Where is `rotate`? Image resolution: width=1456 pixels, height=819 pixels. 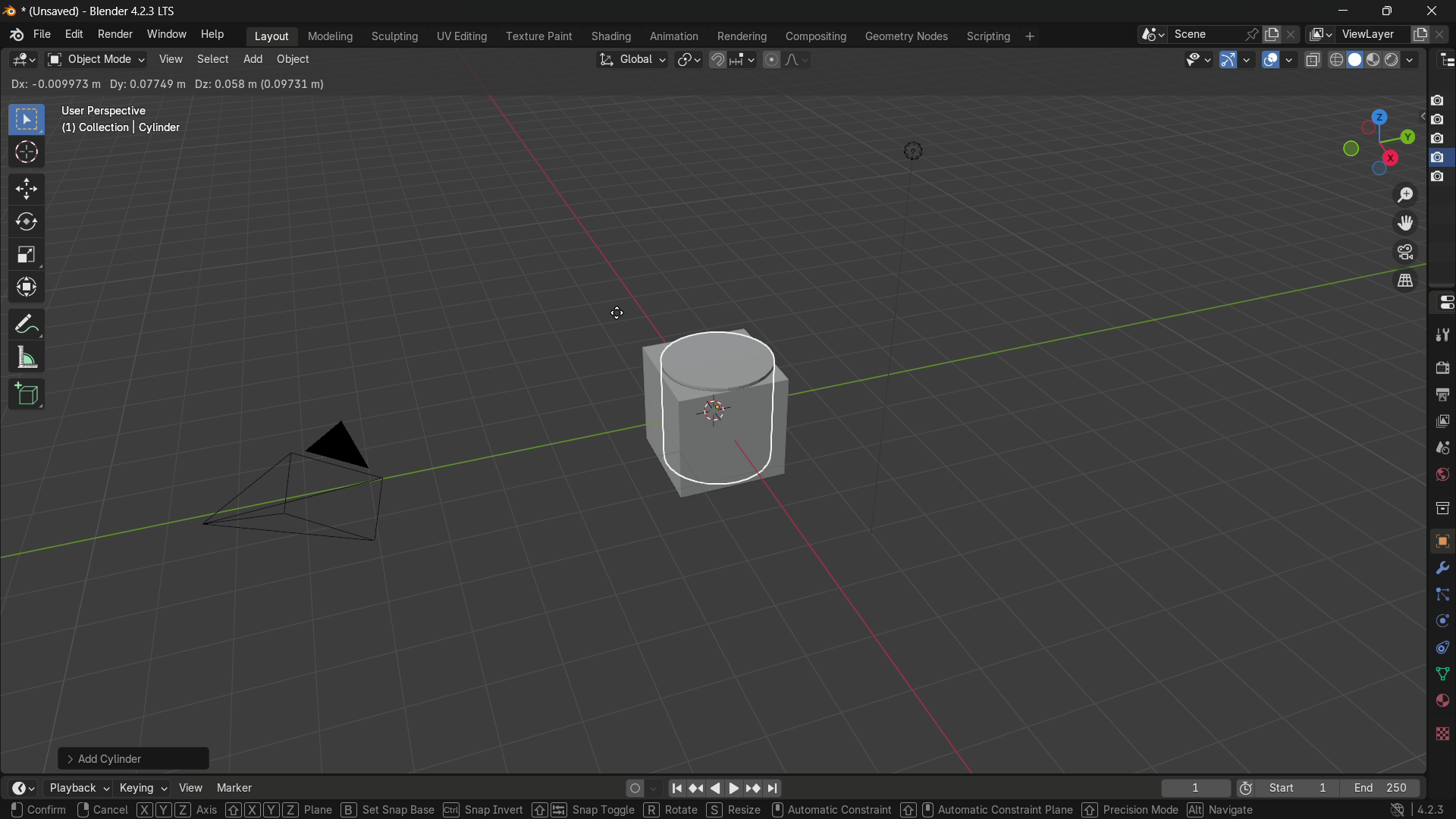
rotate is located at coordinates (26, 223).